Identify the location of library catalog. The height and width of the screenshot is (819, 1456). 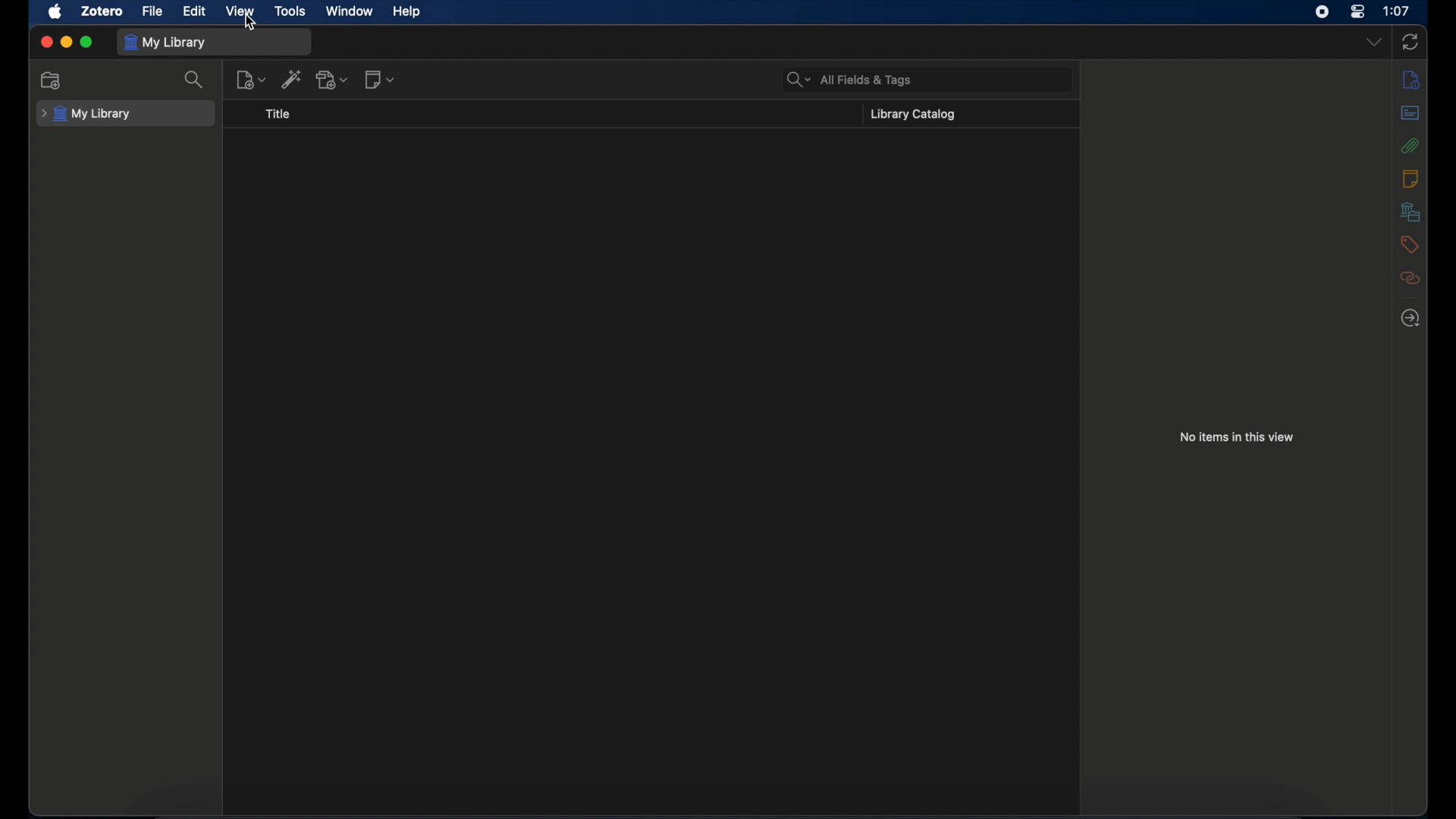
(911, 115).